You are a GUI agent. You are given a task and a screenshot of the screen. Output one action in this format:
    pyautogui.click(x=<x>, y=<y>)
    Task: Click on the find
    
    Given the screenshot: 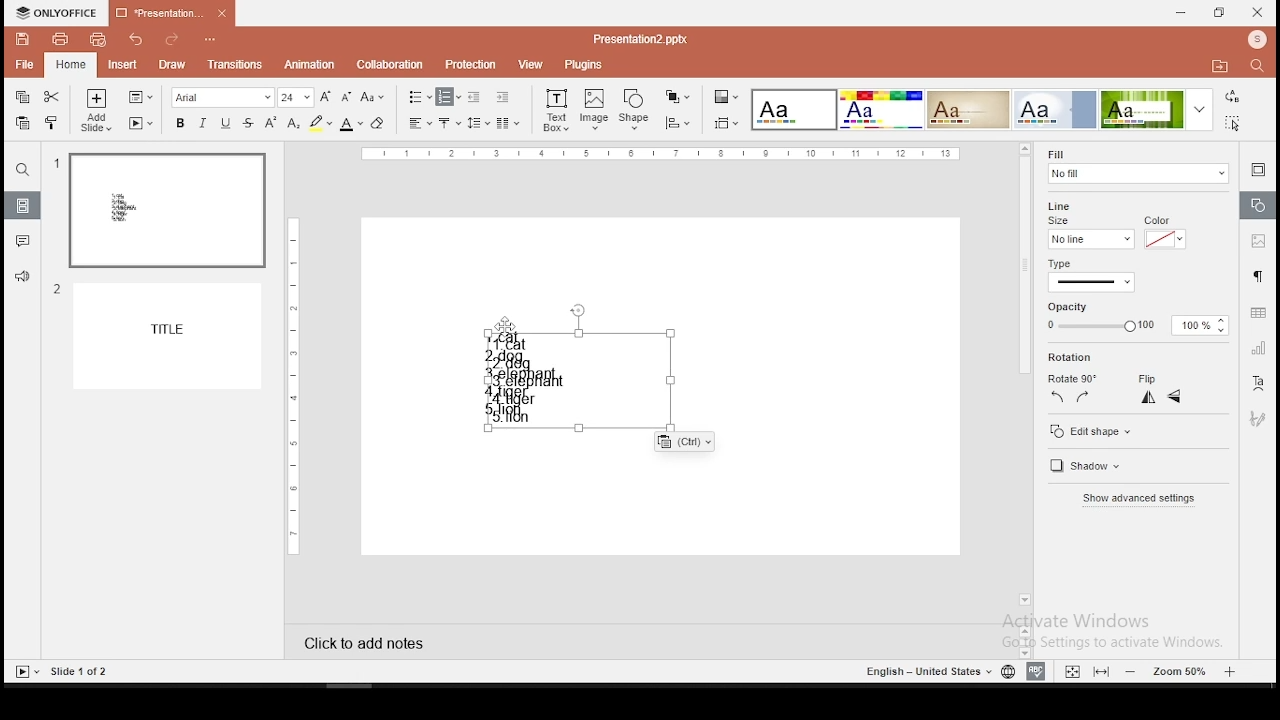 What is the action you would take?
    pyautogui.click(x=21, y=170)
    